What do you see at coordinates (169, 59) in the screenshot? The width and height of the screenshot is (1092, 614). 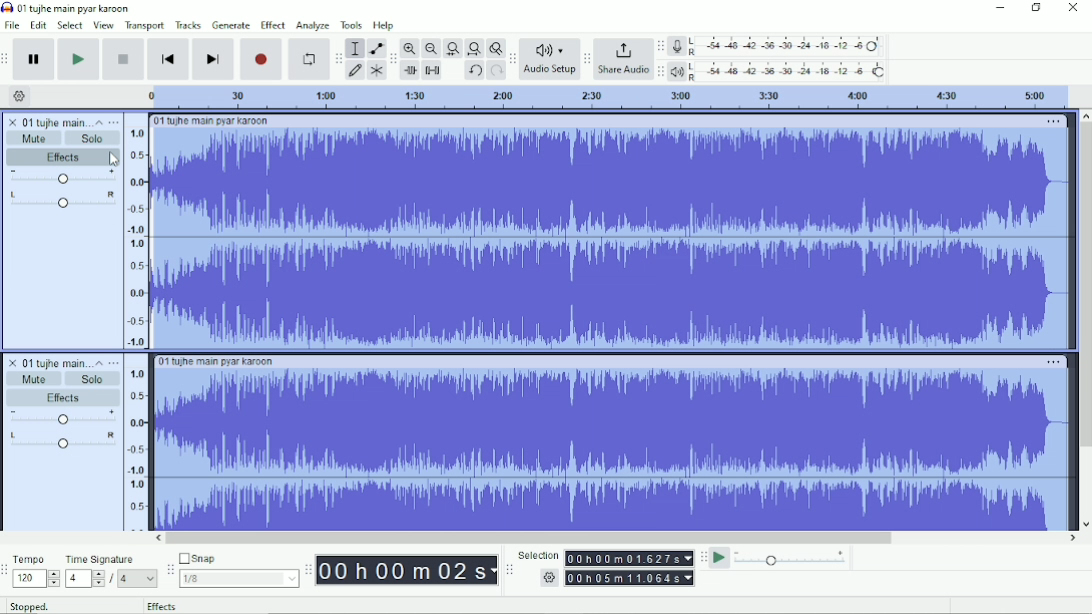 I see `Skip to start` at bounding box center [169, 59].